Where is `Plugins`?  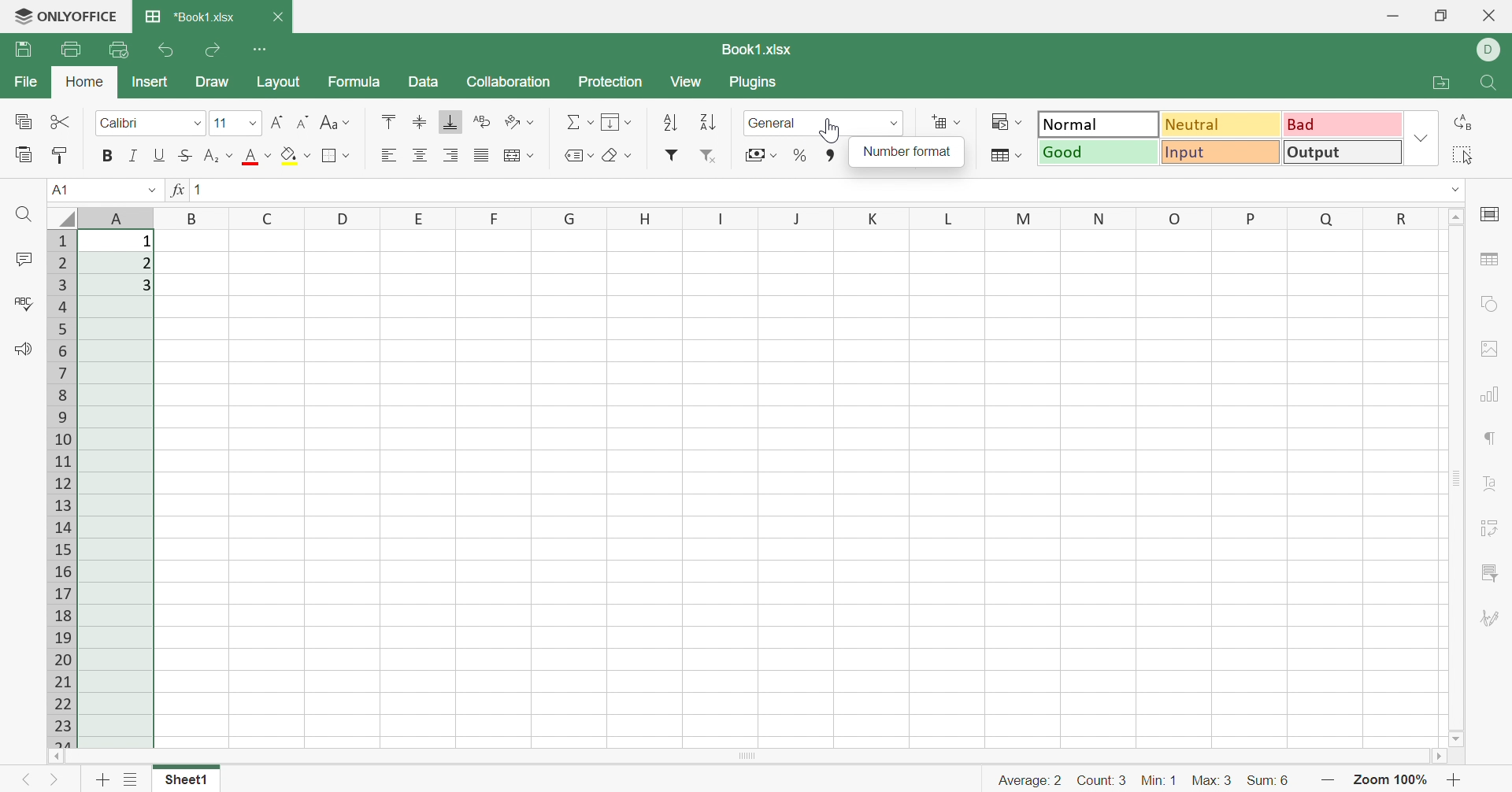 Plugins is located at coordinates (757, 83).